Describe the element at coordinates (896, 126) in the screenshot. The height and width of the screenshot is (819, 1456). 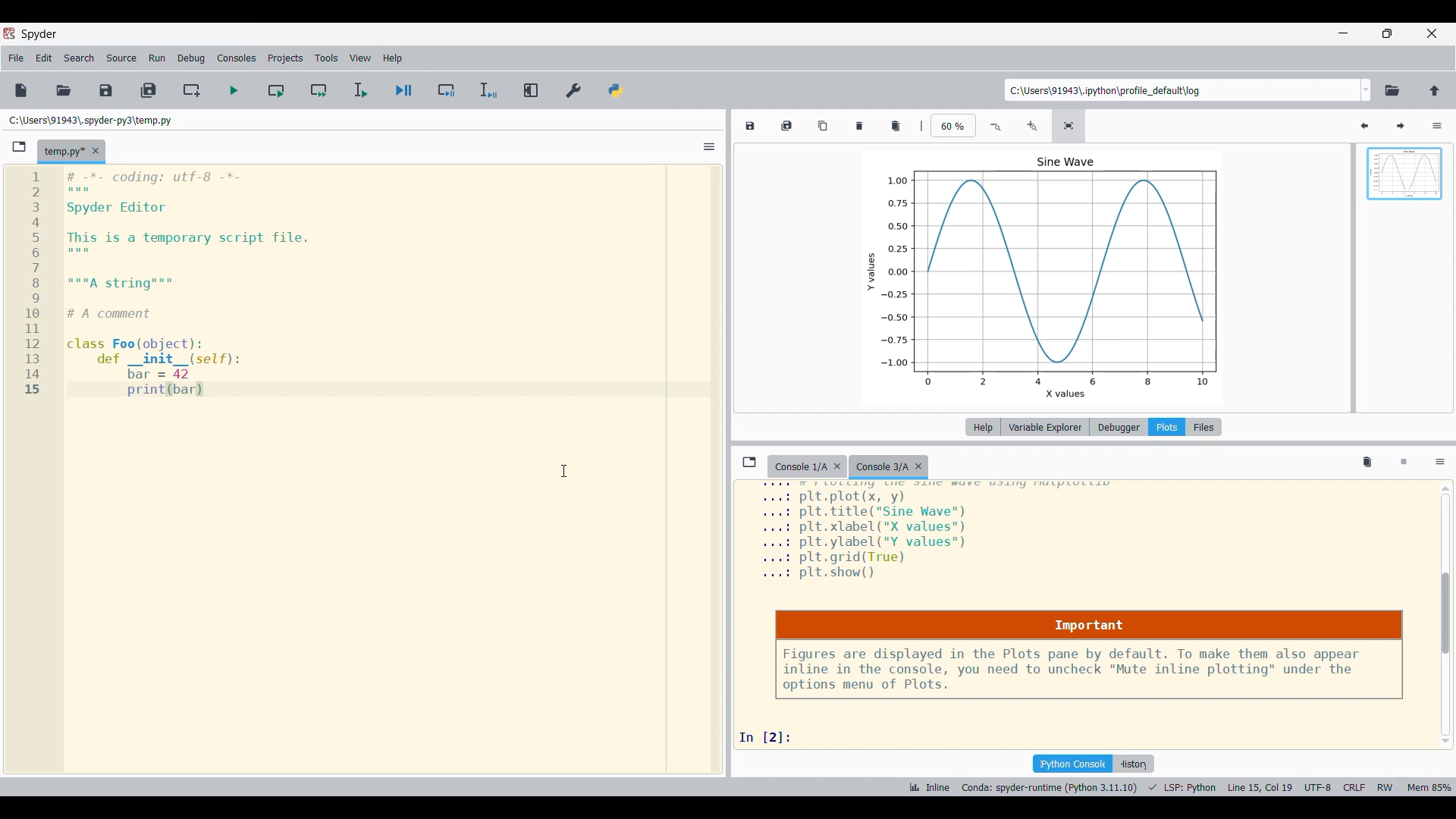
I see `Remove all plots` at that location.